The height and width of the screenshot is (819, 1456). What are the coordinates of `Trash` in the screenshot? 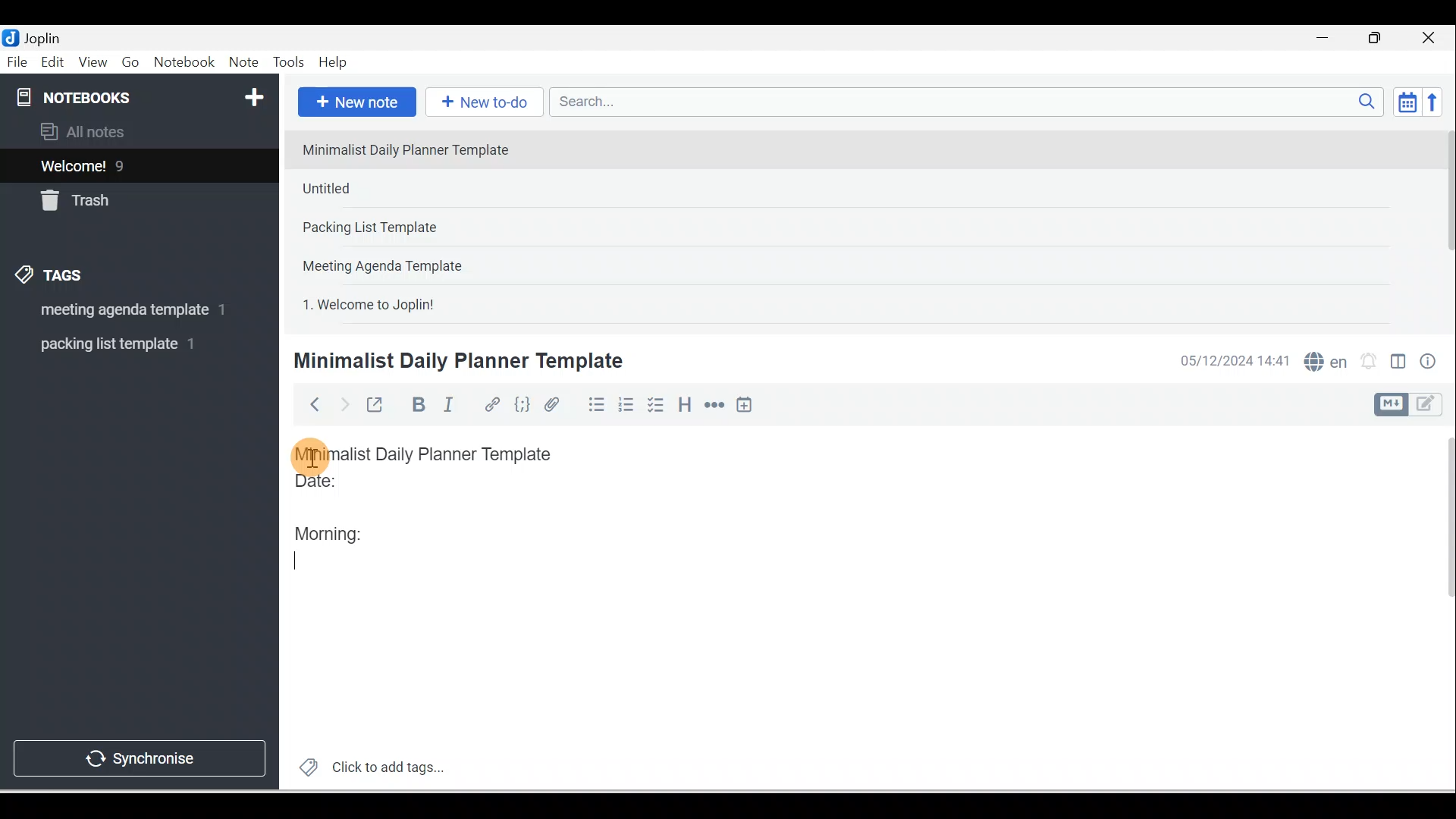 It's located at (111, 196).